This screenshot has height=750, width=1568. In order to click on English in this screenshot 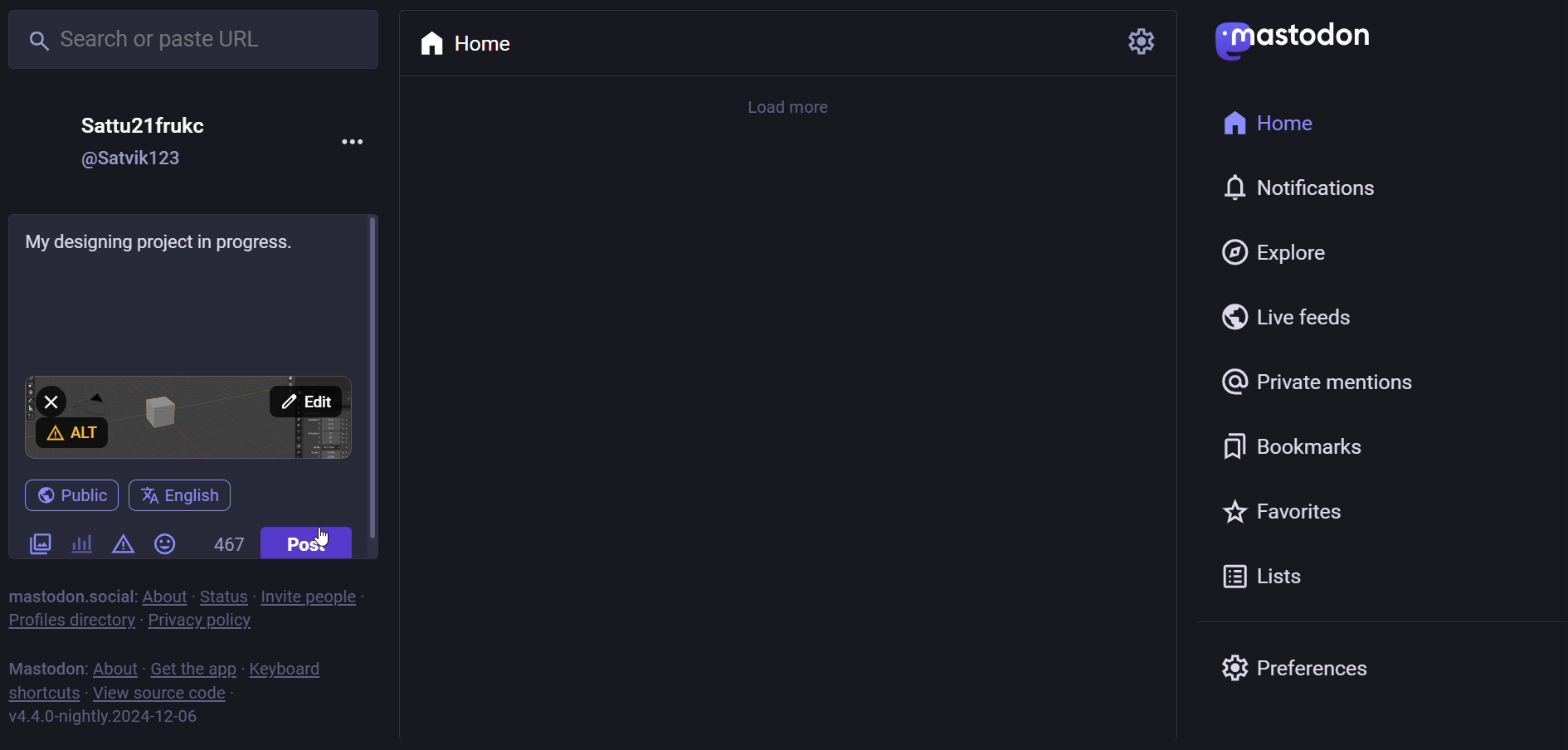, I will do `click(181, 494)`.